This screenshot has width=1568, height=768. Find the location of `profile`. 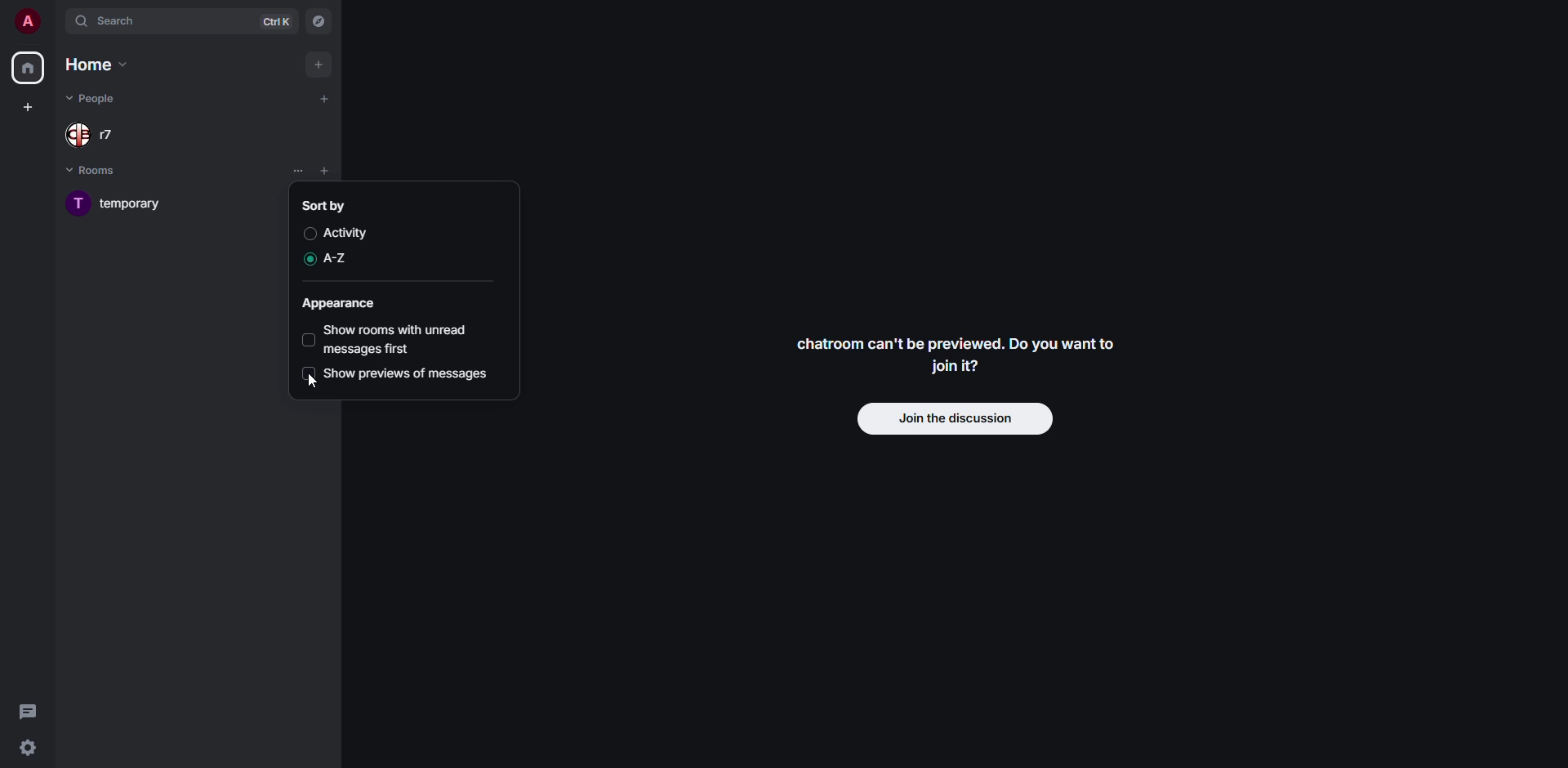

profile is located at coordinates (26, 22).